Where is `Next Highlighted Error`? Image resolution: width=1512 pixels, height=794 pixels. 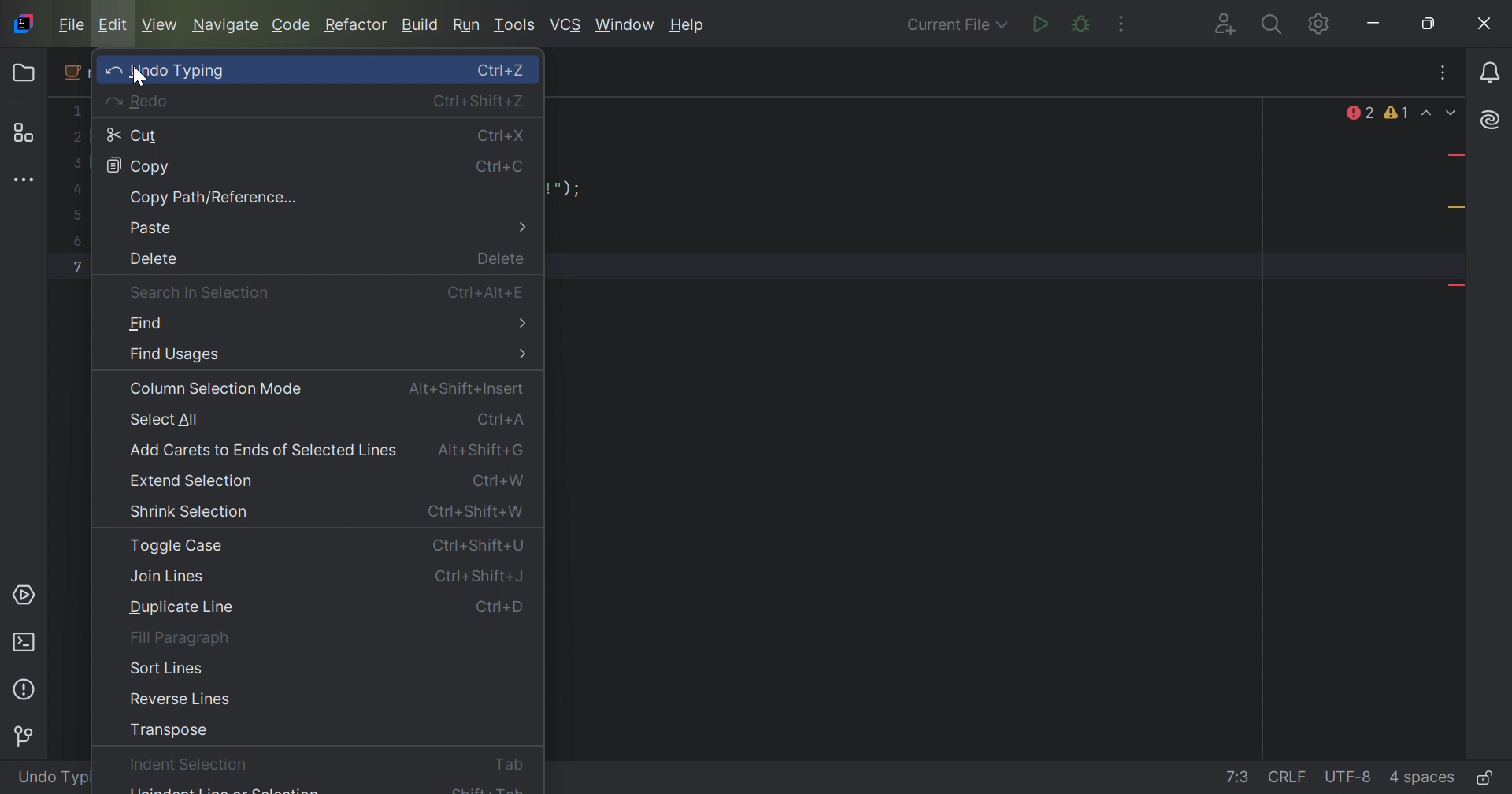 Next Highlighted Error is located at coordinates (1454, 113).